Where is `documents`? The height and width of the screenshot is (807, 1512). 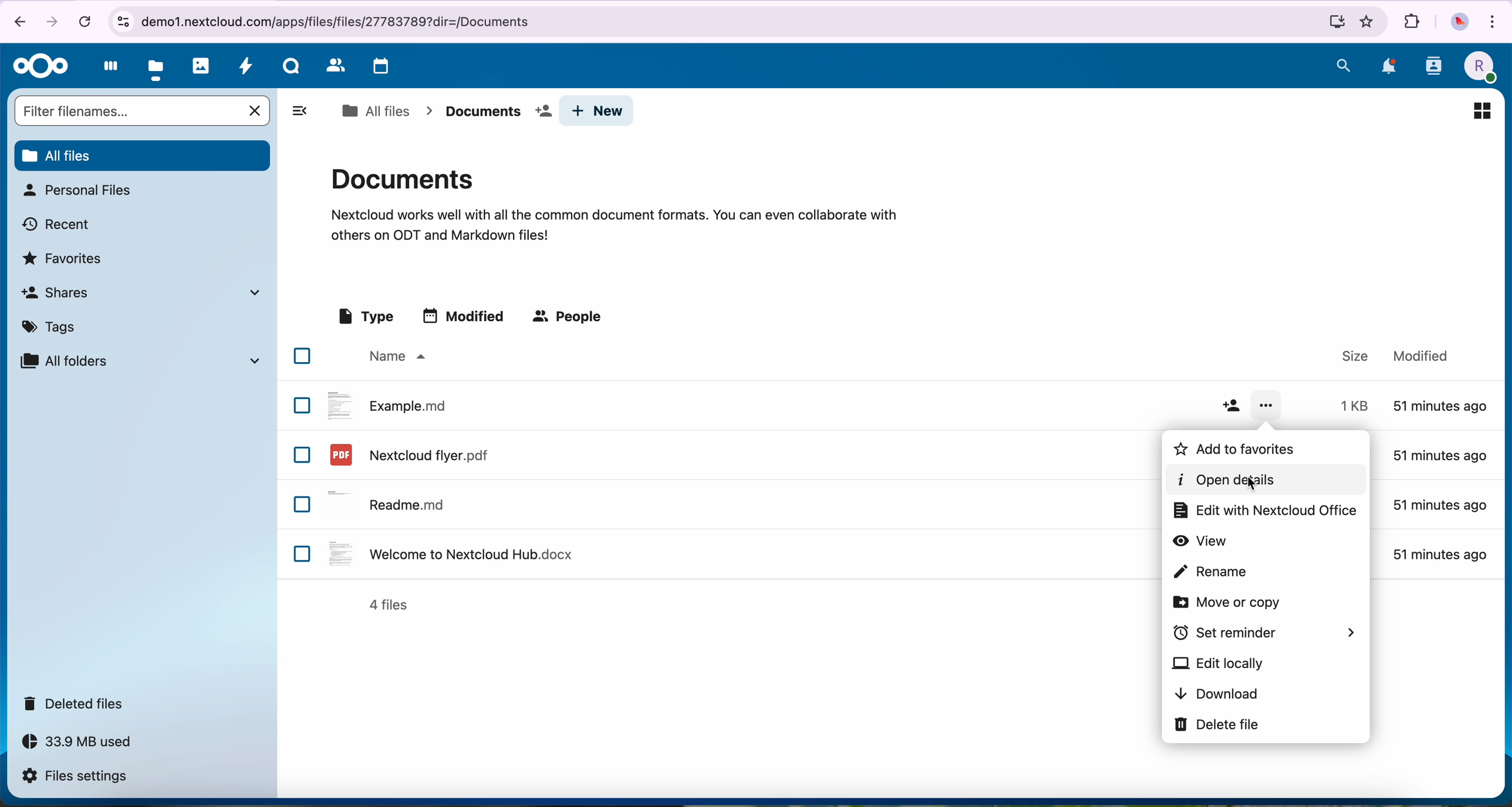 documents is located at coordinates (614, 202).